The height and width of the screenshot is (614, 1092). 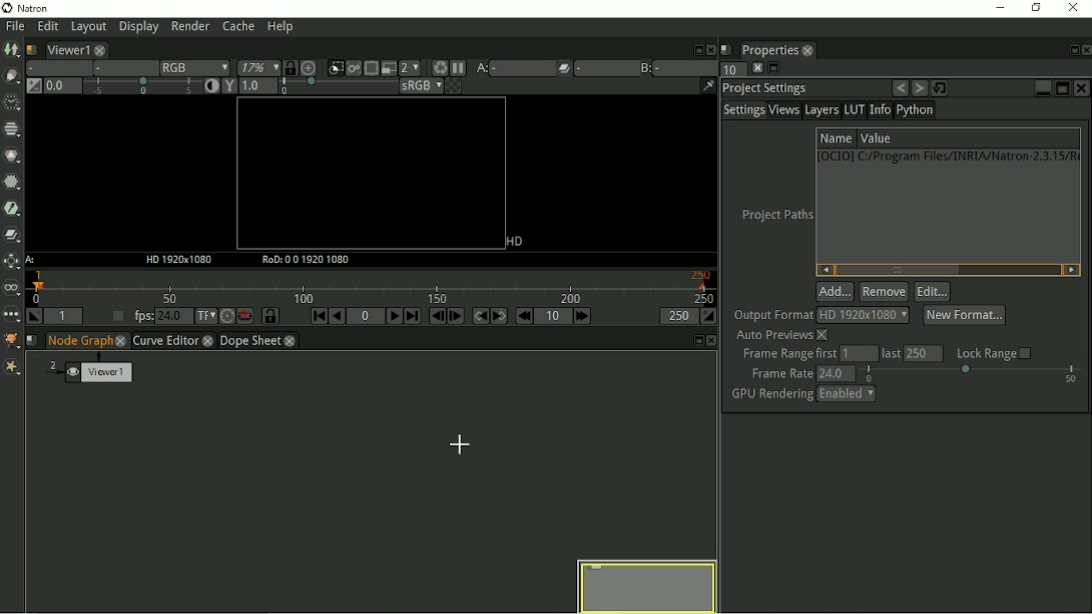 I want to click on Scale image, so click(x=310, y=67).